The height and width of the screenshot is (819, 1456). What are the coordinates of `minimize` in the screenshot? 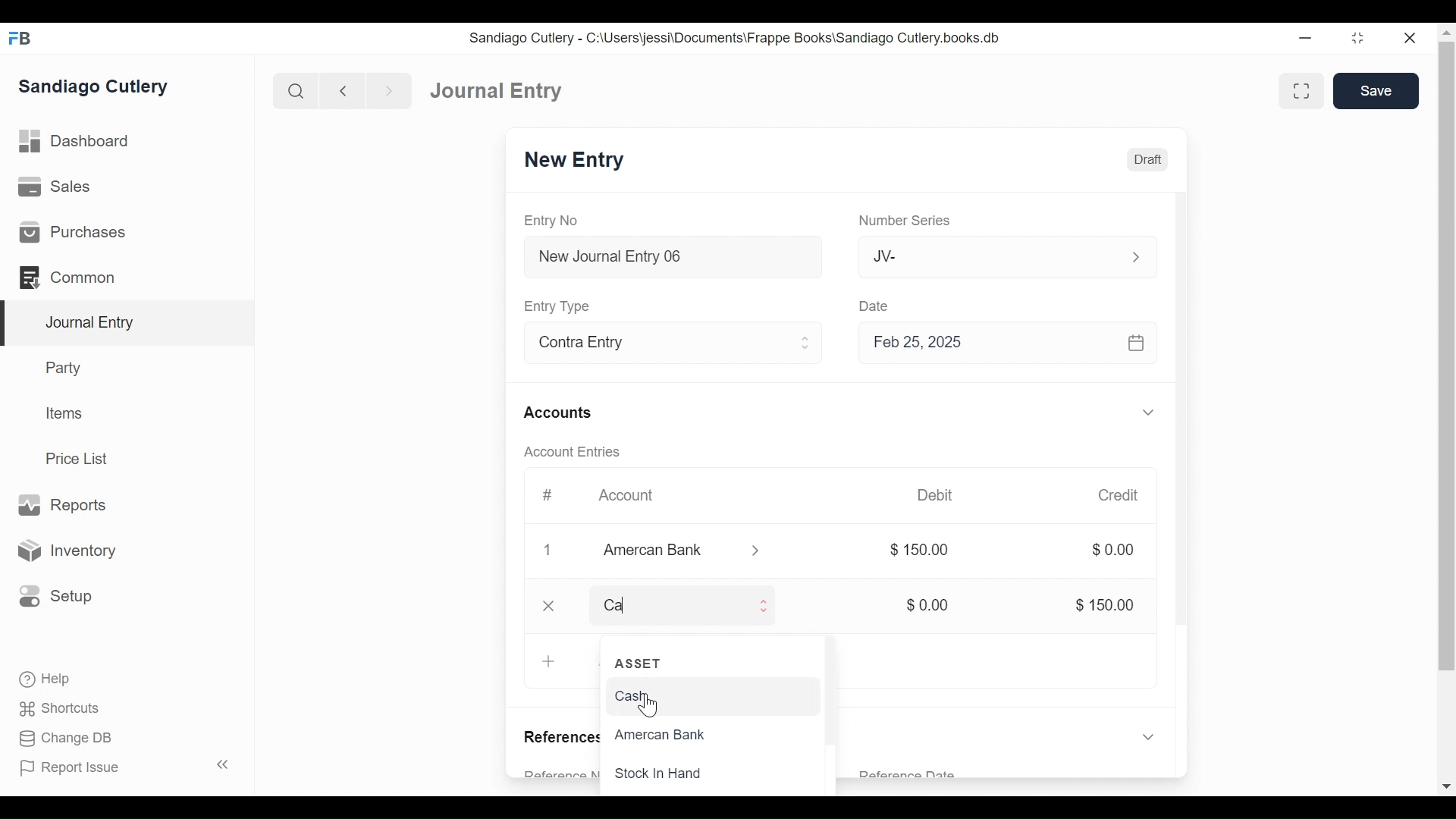 It's located at (1307, 39).